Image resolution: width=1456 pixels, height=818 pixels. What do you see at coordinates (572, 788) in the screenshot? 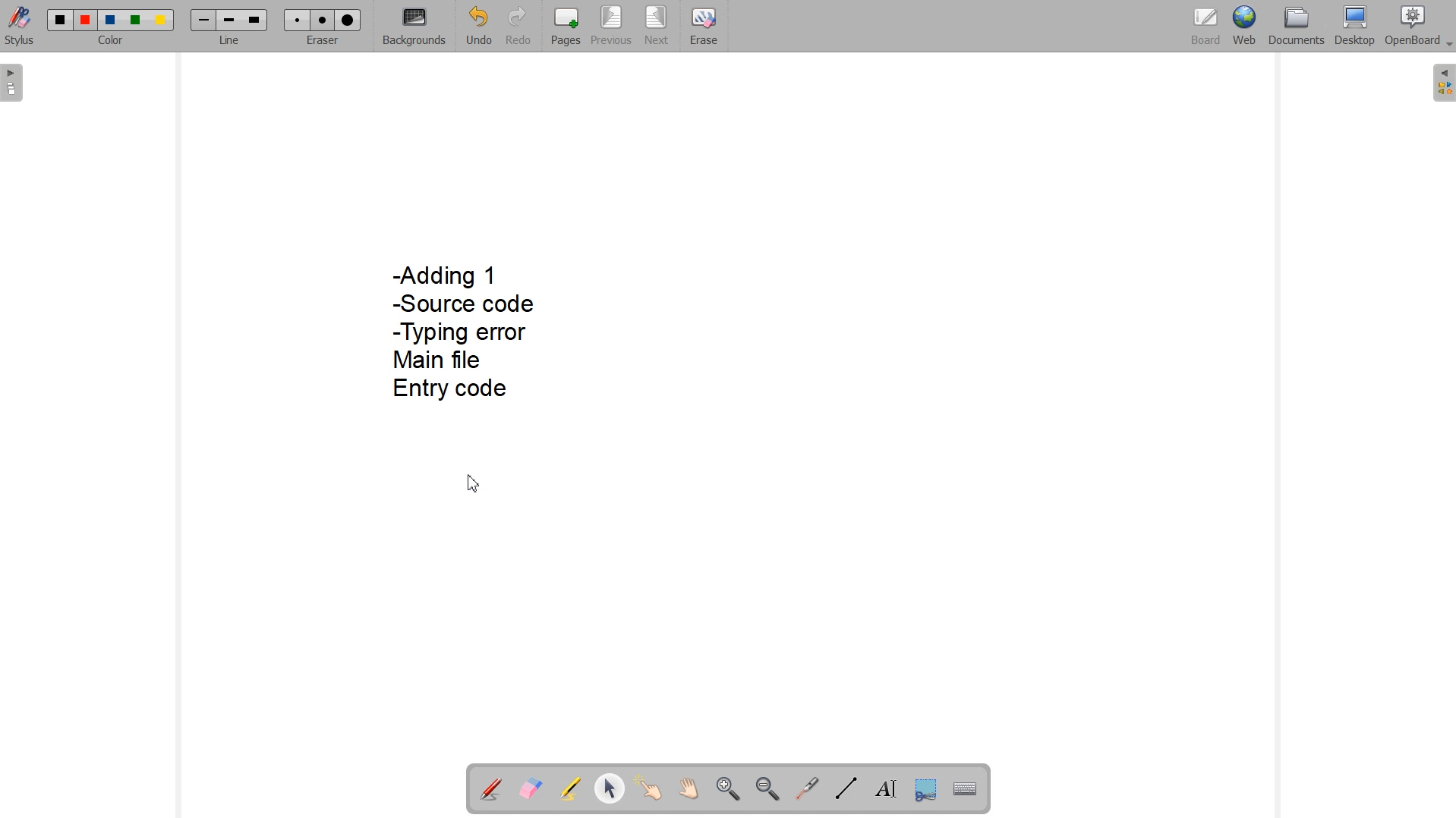
I see `Highlight` at bounding box center [572, 788].